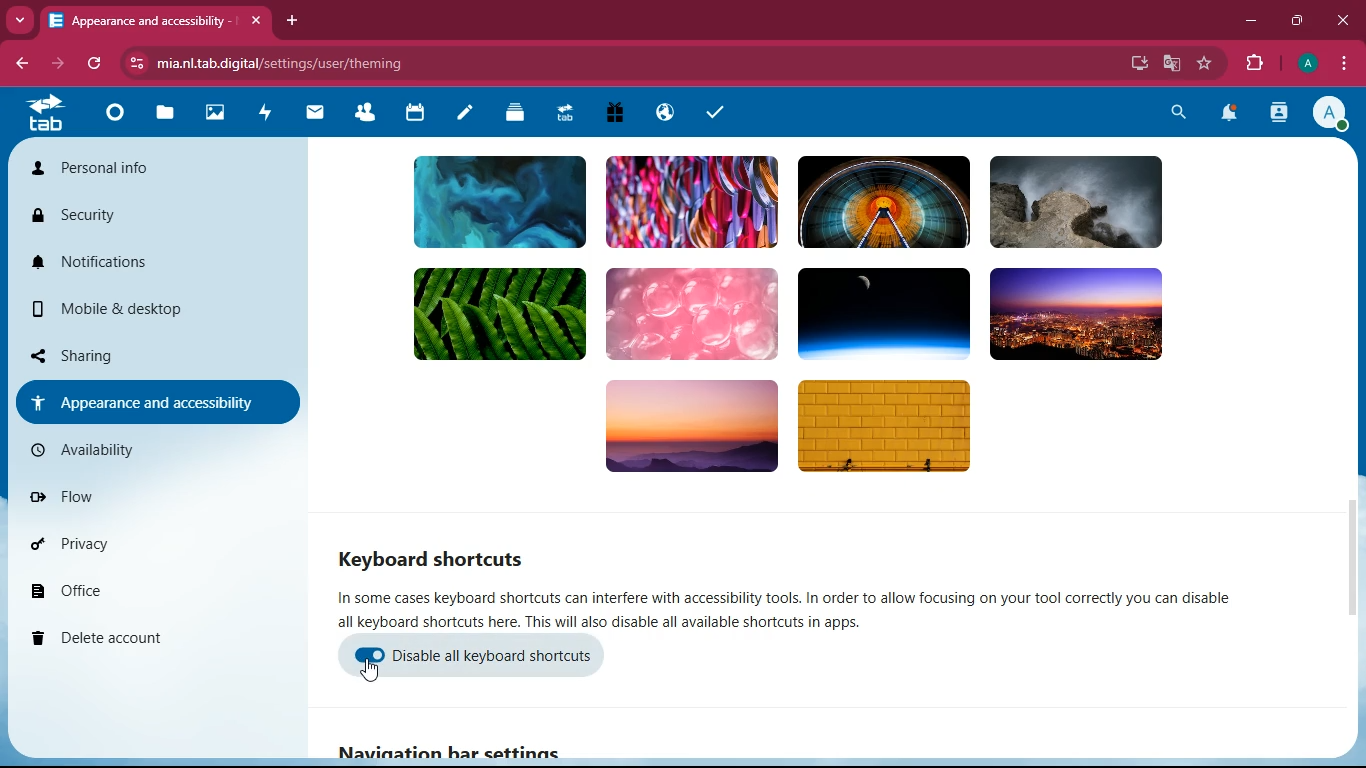 The width and height of the screenshot is (1366, 768). I want to click on description, so click(810, 609).